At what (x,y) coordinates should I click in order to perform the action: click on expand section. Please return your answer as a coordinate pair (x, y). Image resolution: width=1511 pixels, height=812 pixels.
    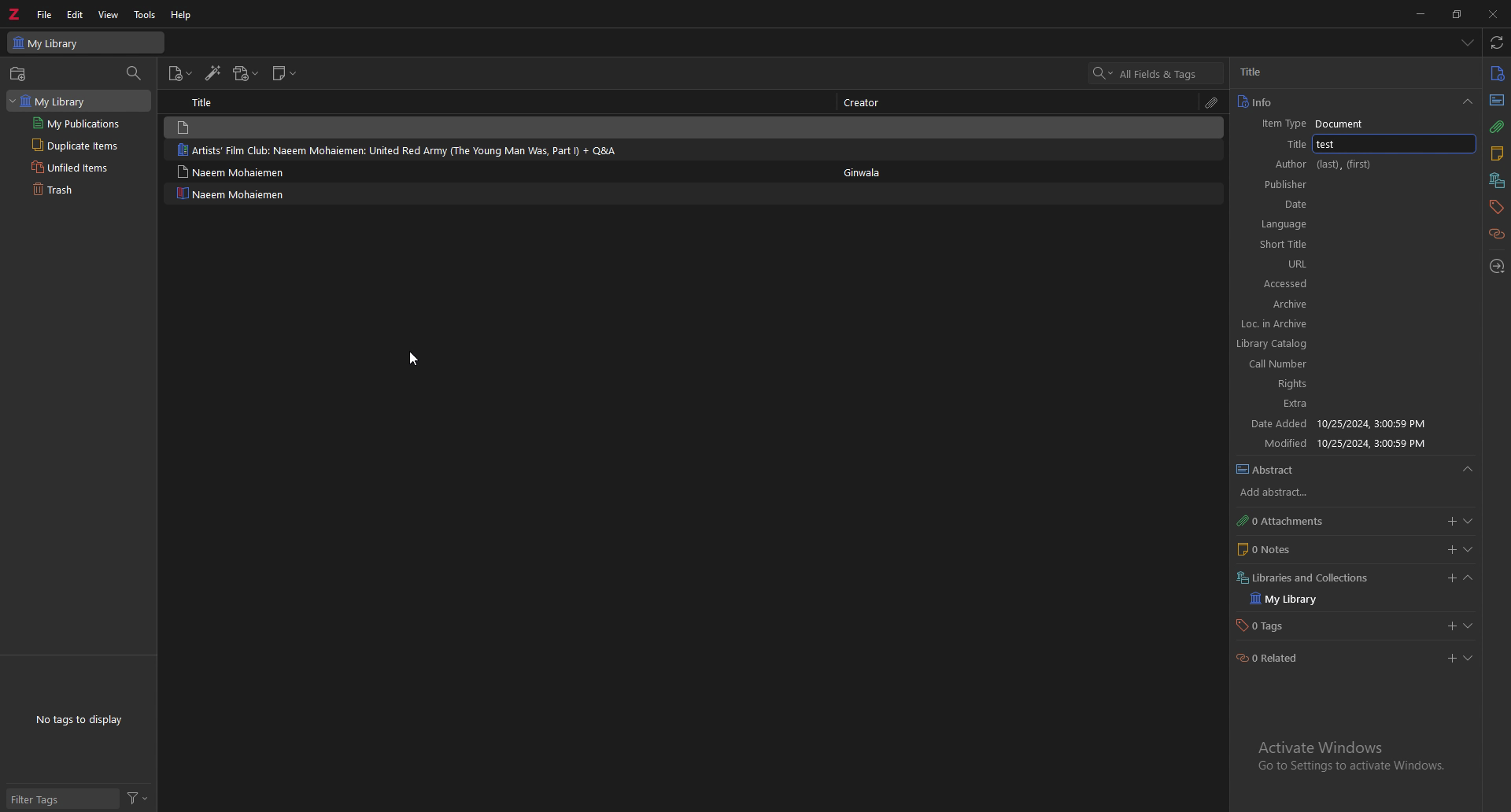
    Looking at the image, I should click on (1474, 580).